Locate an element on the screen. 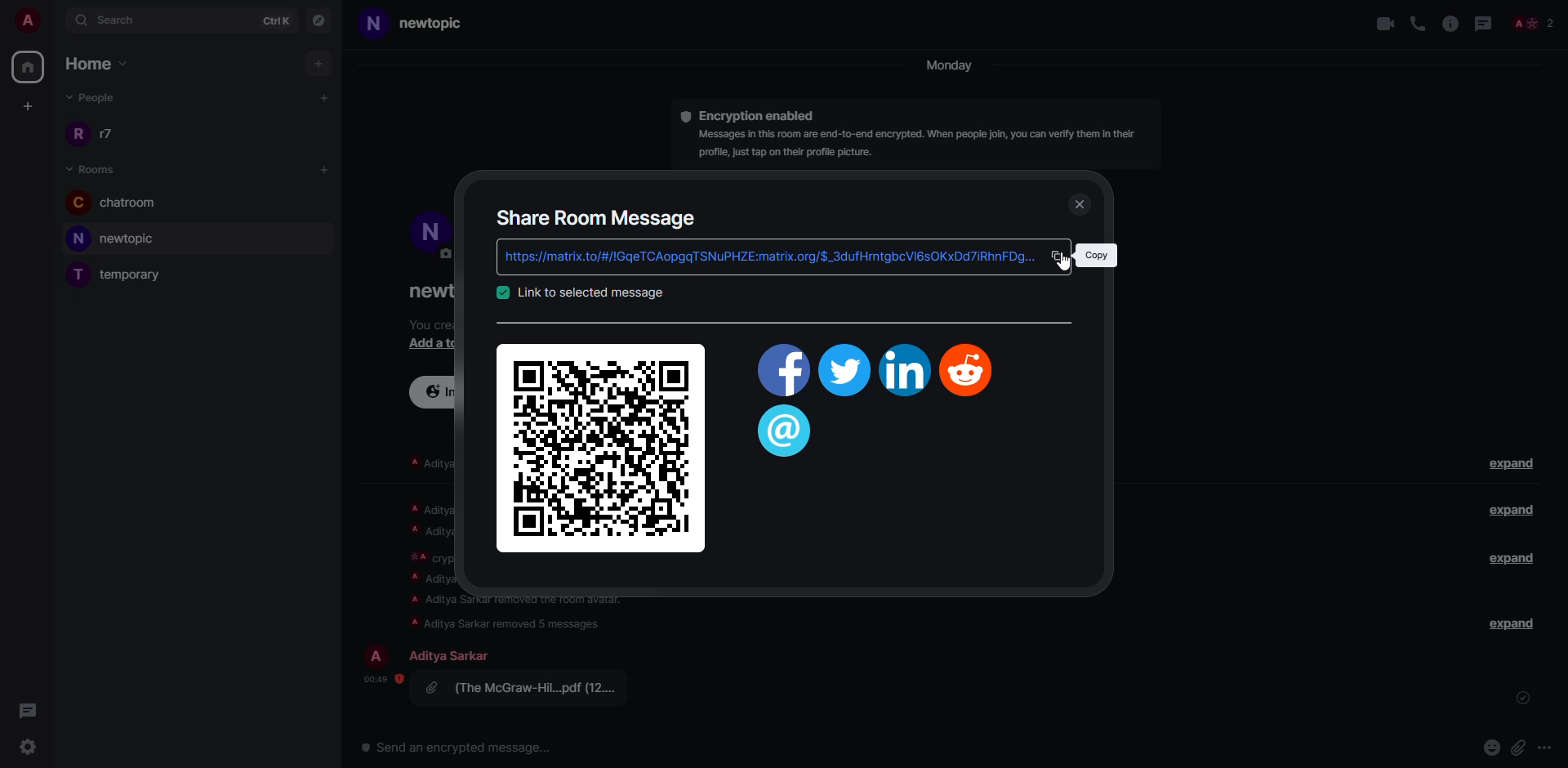 The height and width of the screenshot is (768, 1568). temporary is located at coordinates (125, 274).